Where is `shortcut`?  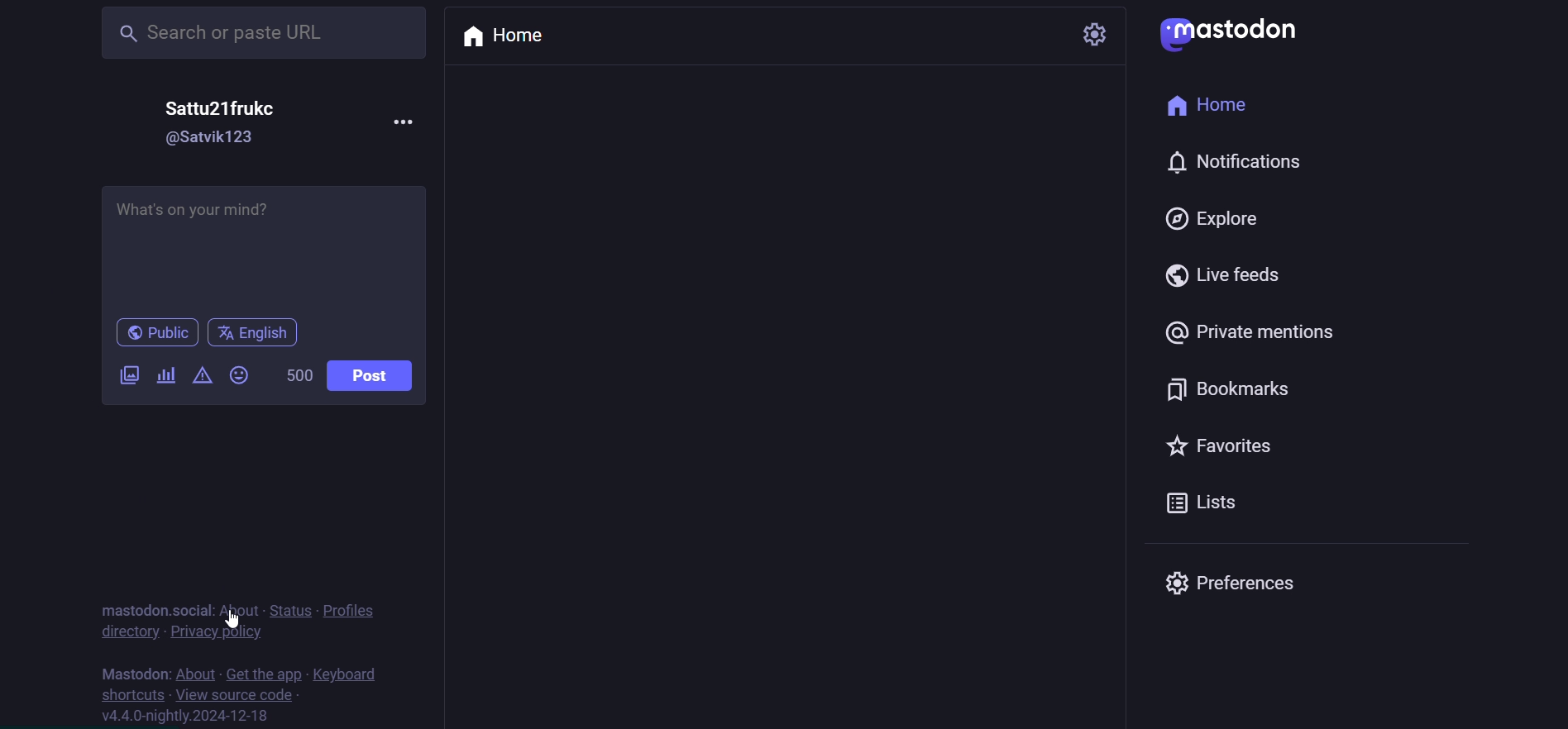
shortcut is located at coordinates (127, 693).